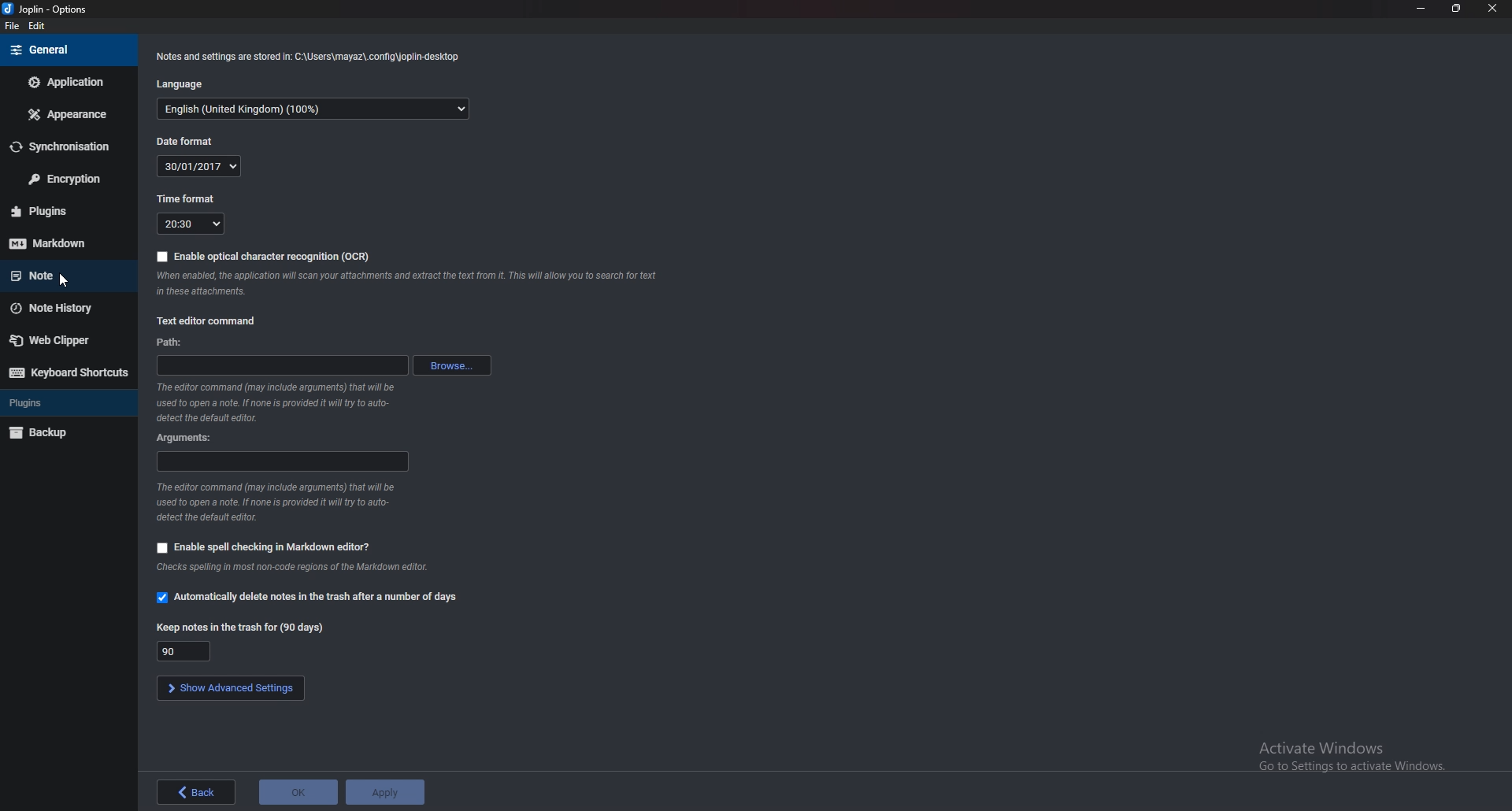 Image resolution: width=1512 pixels, height=811 pixels. I want to click on Date format, so click(201, 166).